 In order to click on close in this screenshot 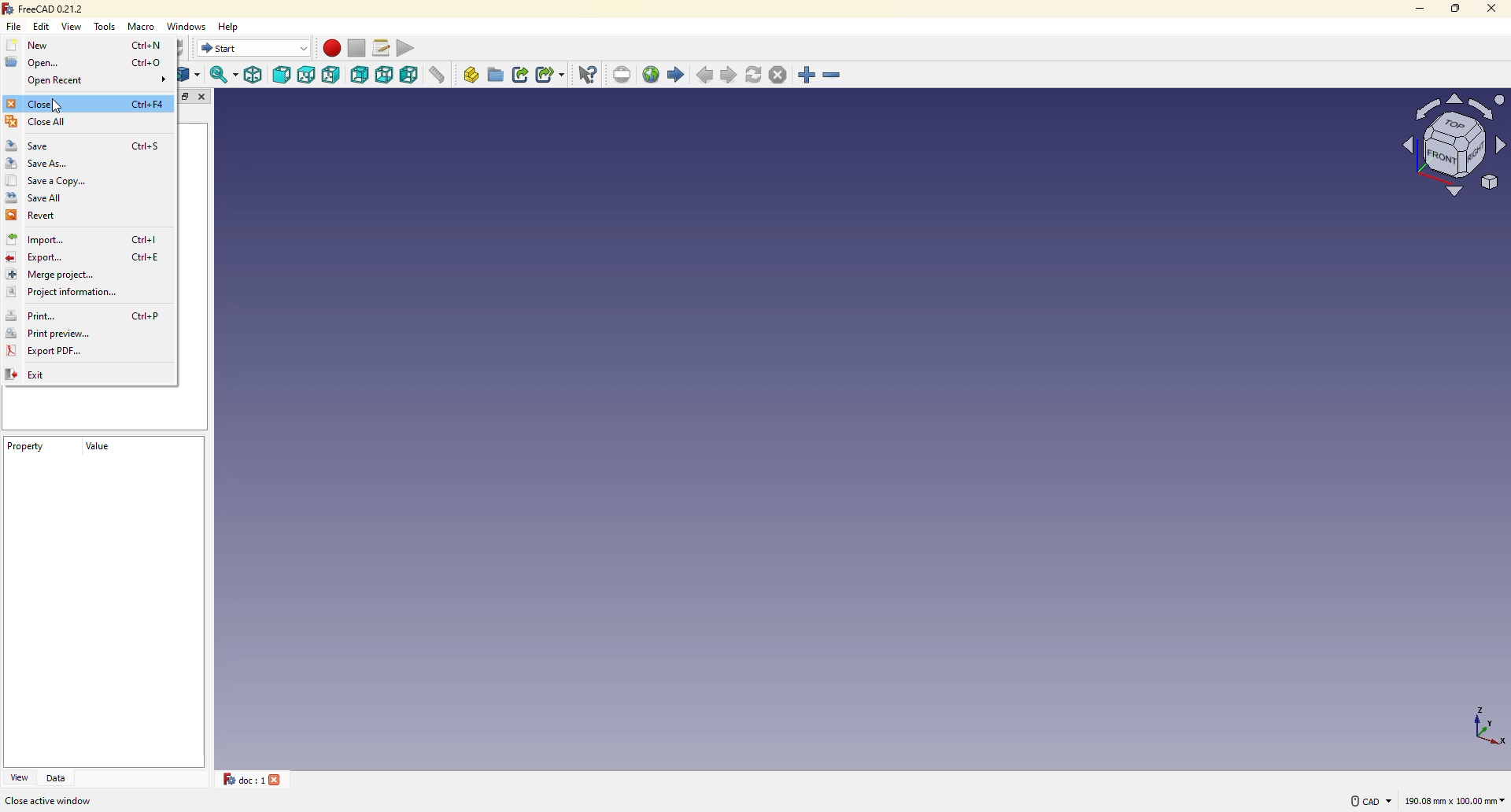, I will do `click(205, 98)`.